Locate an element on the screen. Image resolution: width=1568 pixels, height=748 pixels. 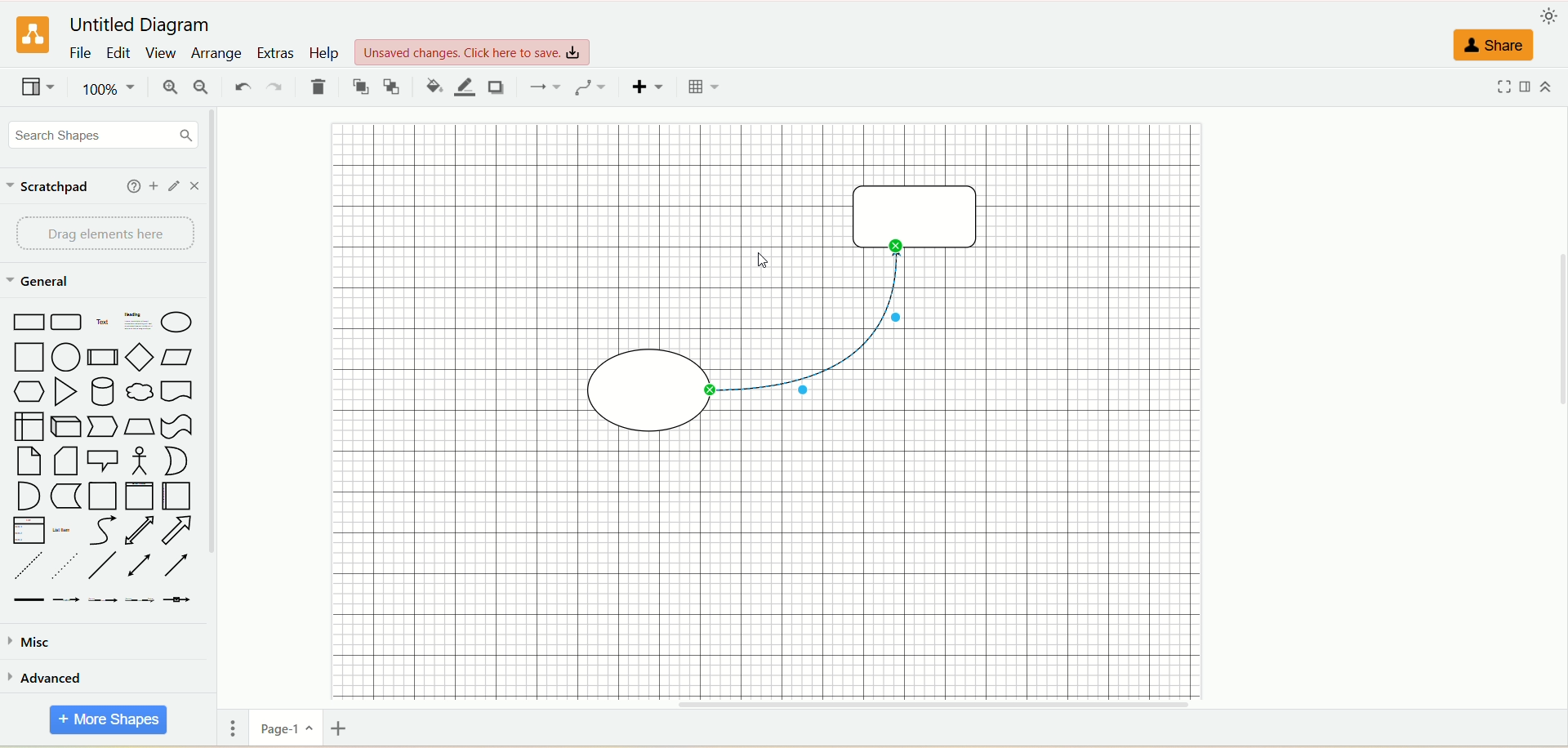
zoom factor is located at coordinates (107, 91).